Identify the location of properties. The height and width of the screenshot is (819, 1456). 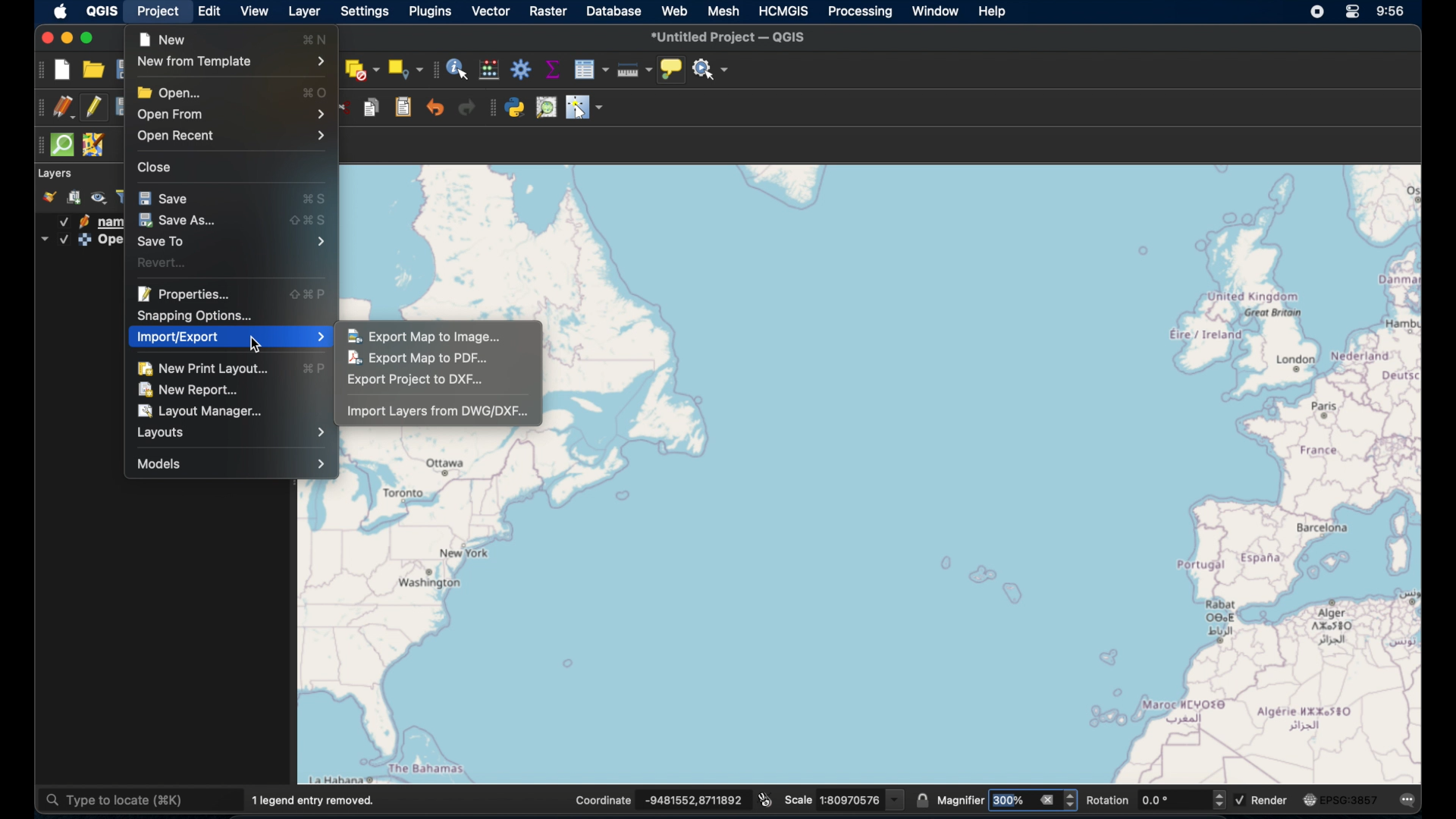
(184, 293).